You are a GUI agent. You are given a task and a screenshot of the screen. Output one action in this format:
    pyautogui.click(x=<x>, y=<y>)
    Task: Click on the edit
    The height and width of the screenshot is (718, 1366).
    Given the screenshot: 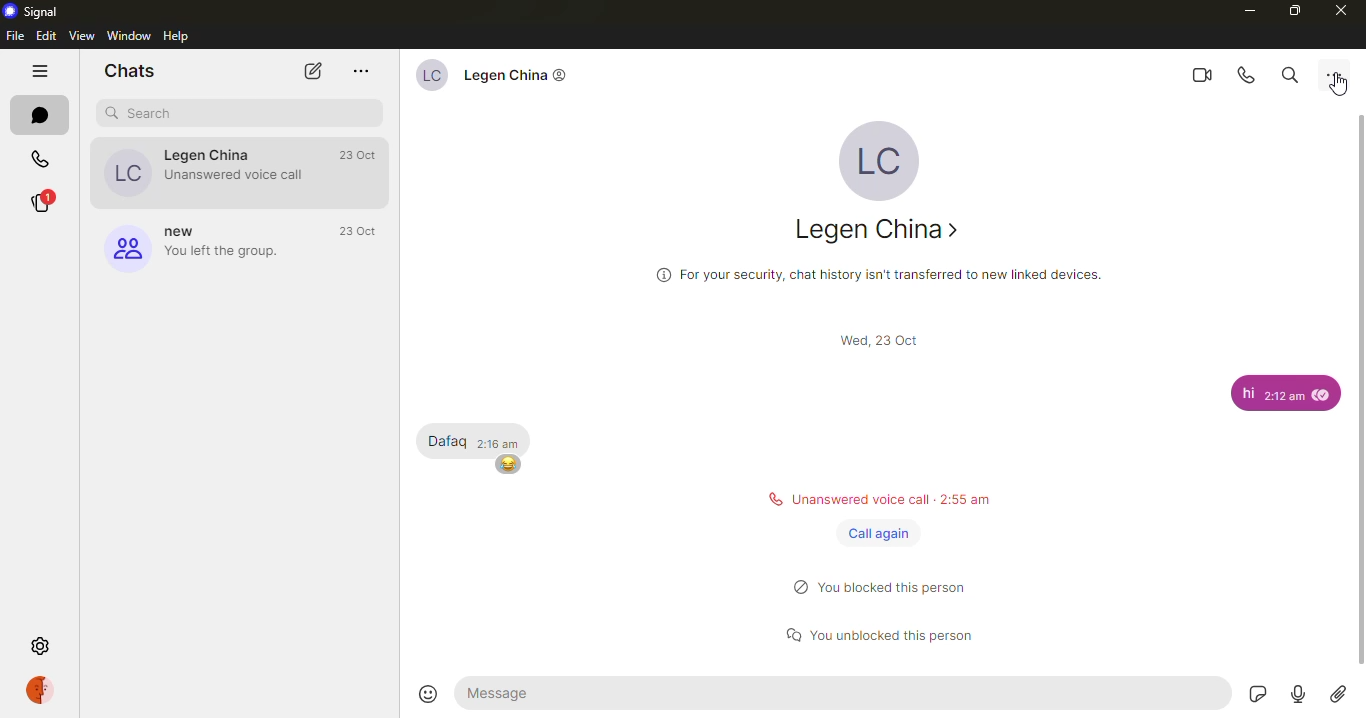 What is the action you would take?
    pyautogui.click(x=46, y=33)
    